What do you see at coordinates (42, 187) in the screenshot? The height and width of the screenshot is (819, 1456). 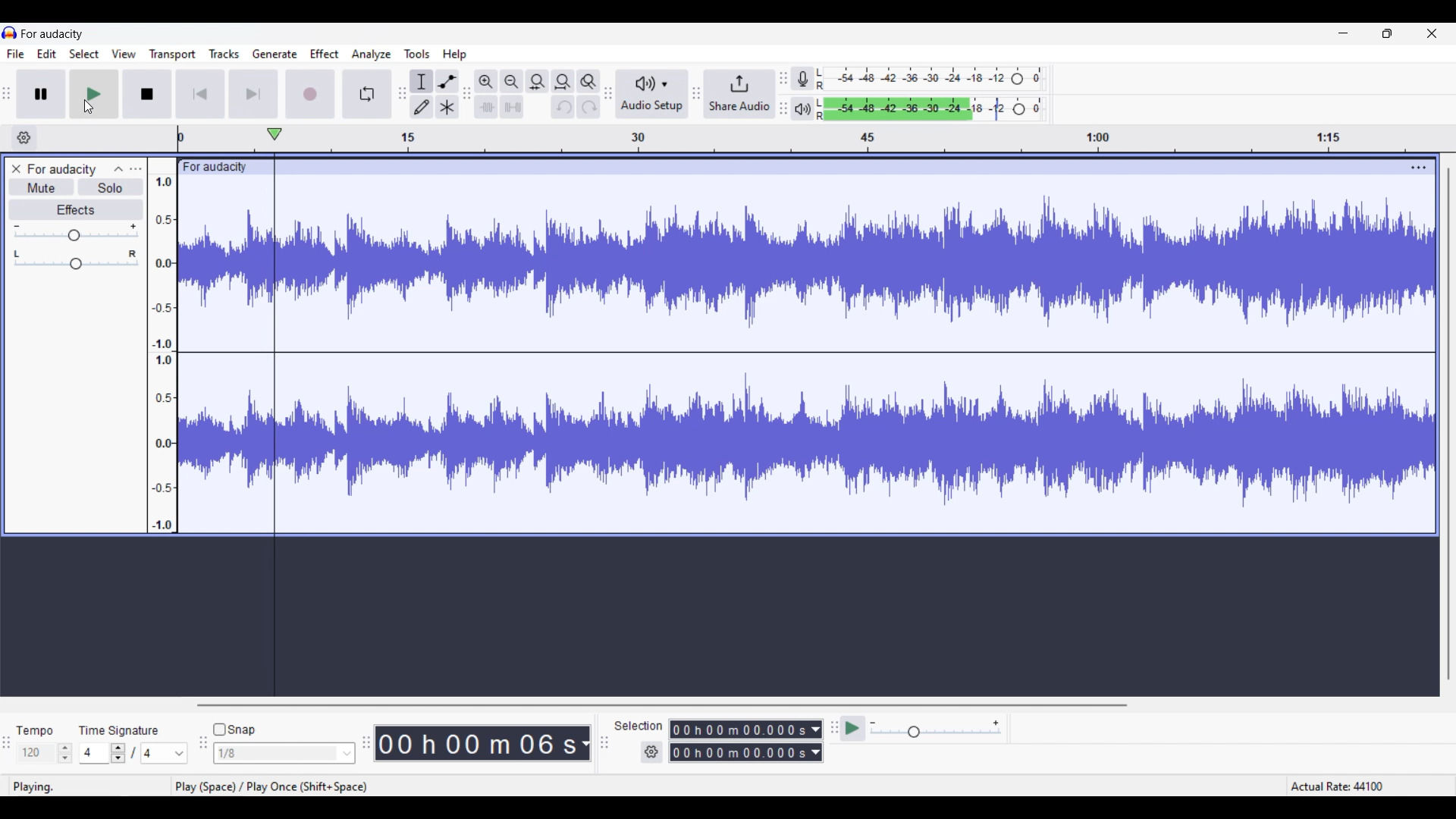 I see `Mute` at bounding box center [42, 187].